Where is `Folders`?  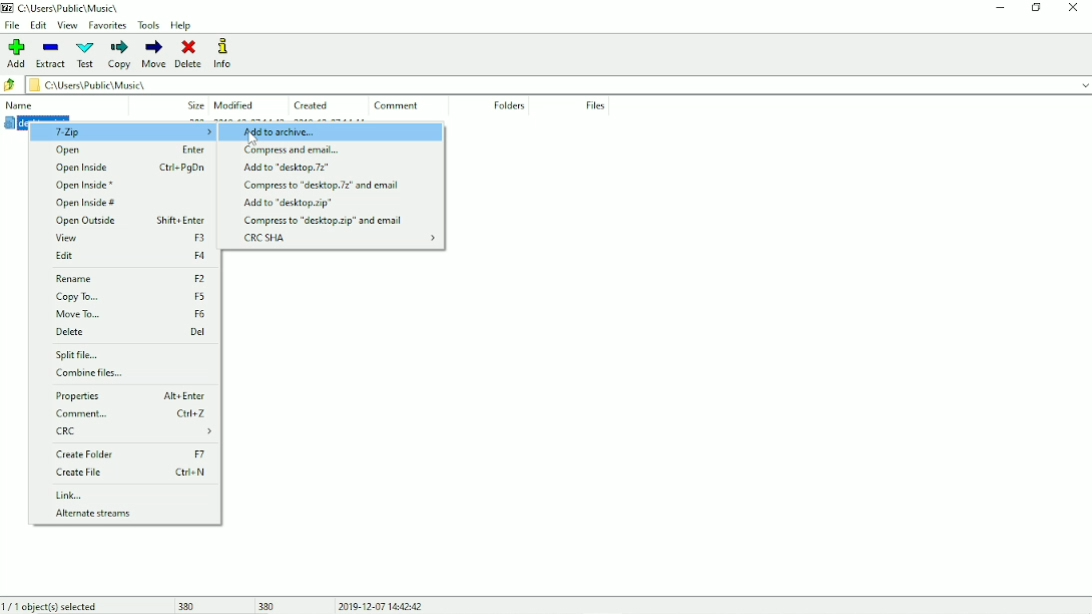
Folders is located at coordinates (510, 106).